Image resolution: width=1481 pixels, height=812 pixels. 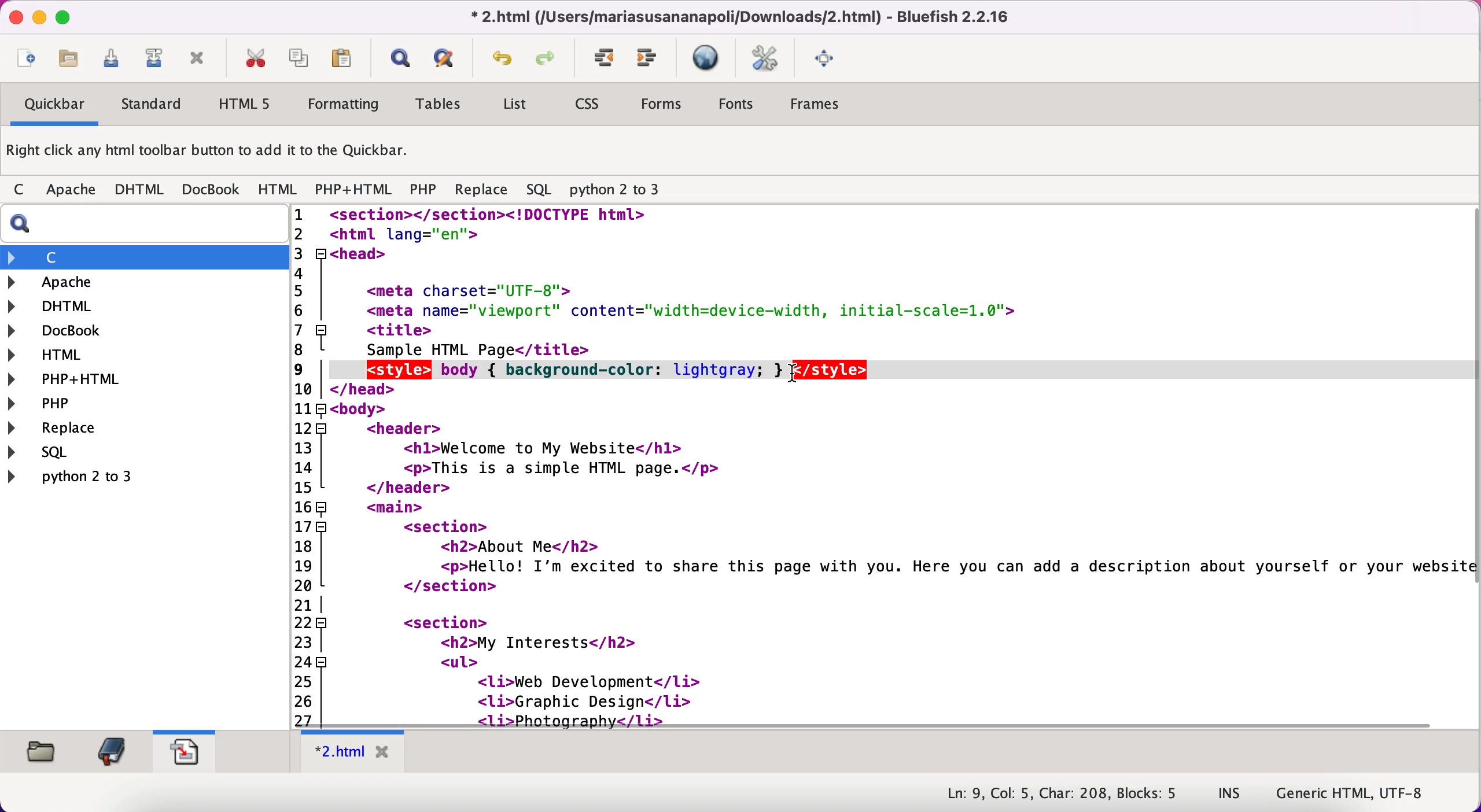 I want to click on python 2 to 3, so click(x=84, y=476).